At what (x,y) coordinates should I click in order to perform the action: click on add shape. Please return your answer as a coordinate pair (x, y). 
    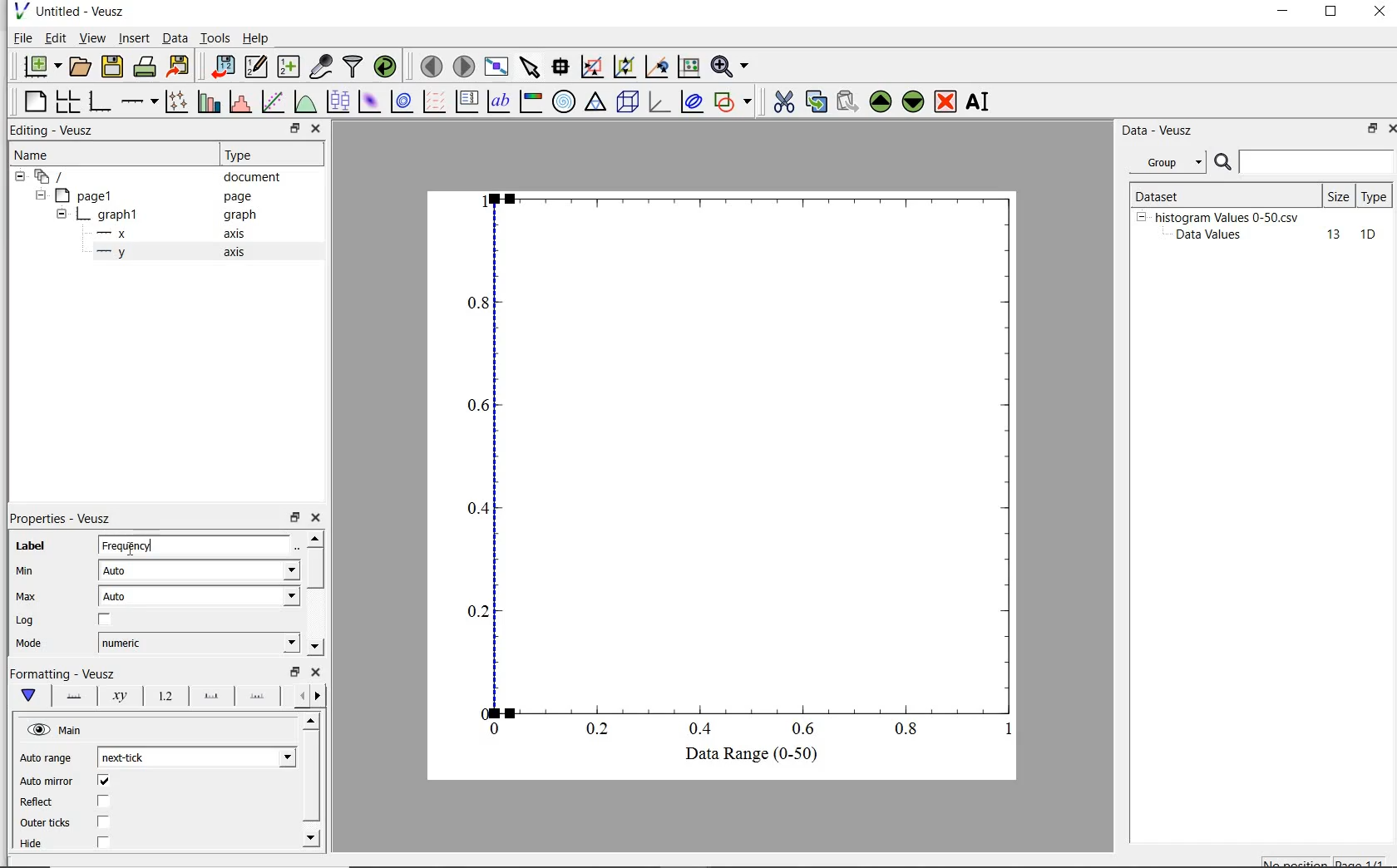
    Looking at the image, I should click on (733, 103).